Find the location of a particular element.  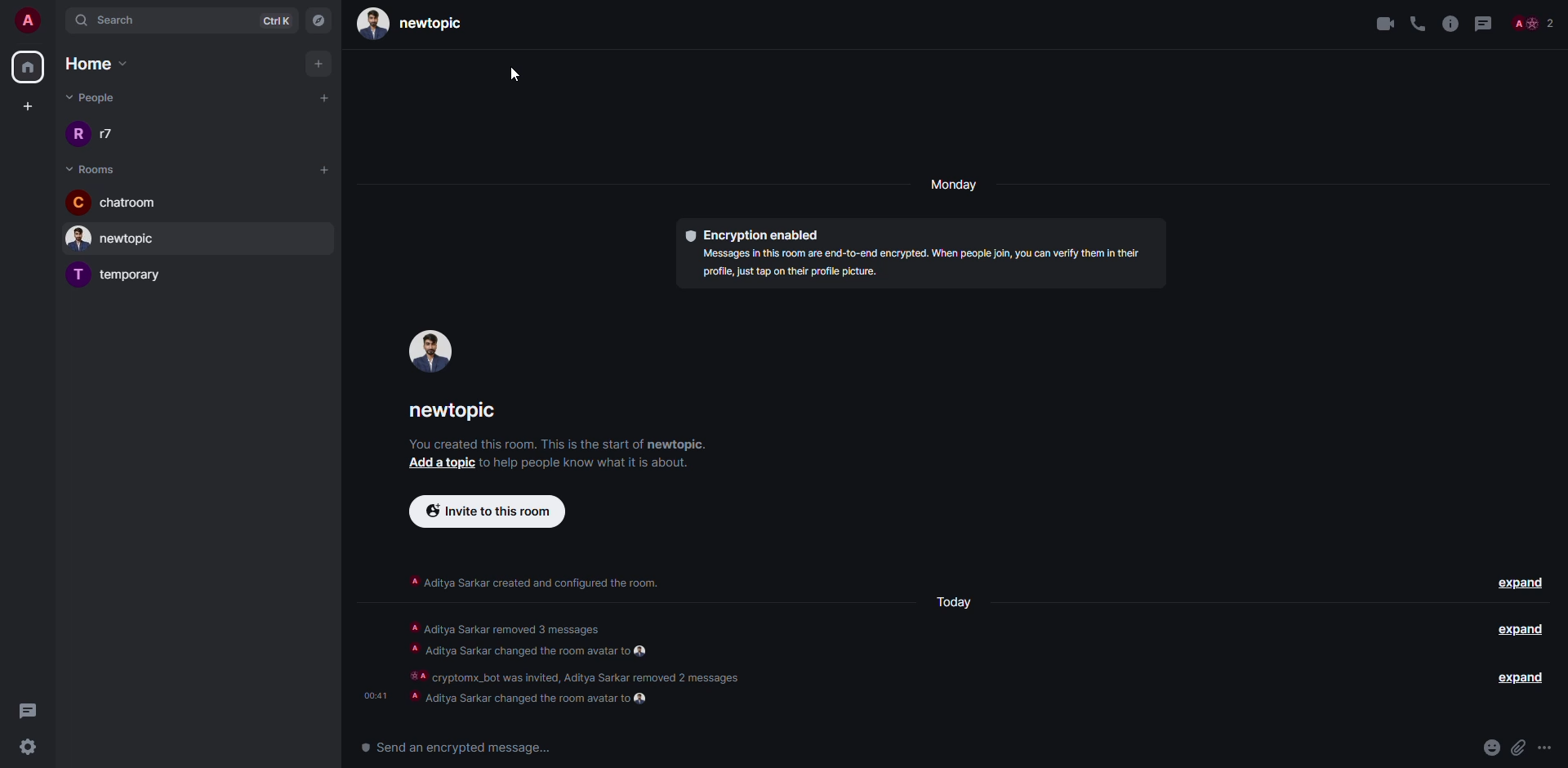

create space is located at coordinates (30, 105).